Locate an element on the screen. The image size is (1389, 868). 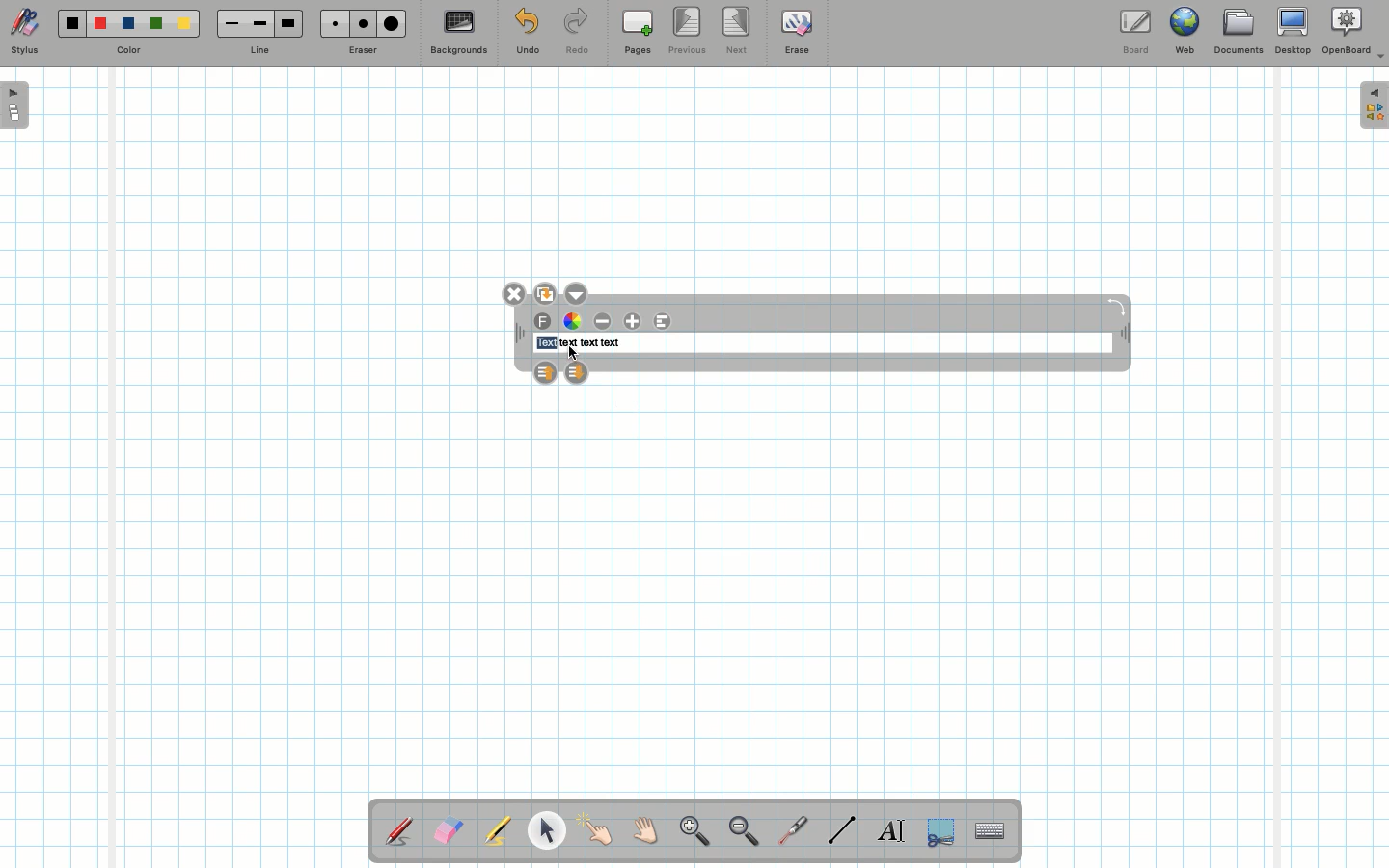
text is located at coordinates (545, 343).